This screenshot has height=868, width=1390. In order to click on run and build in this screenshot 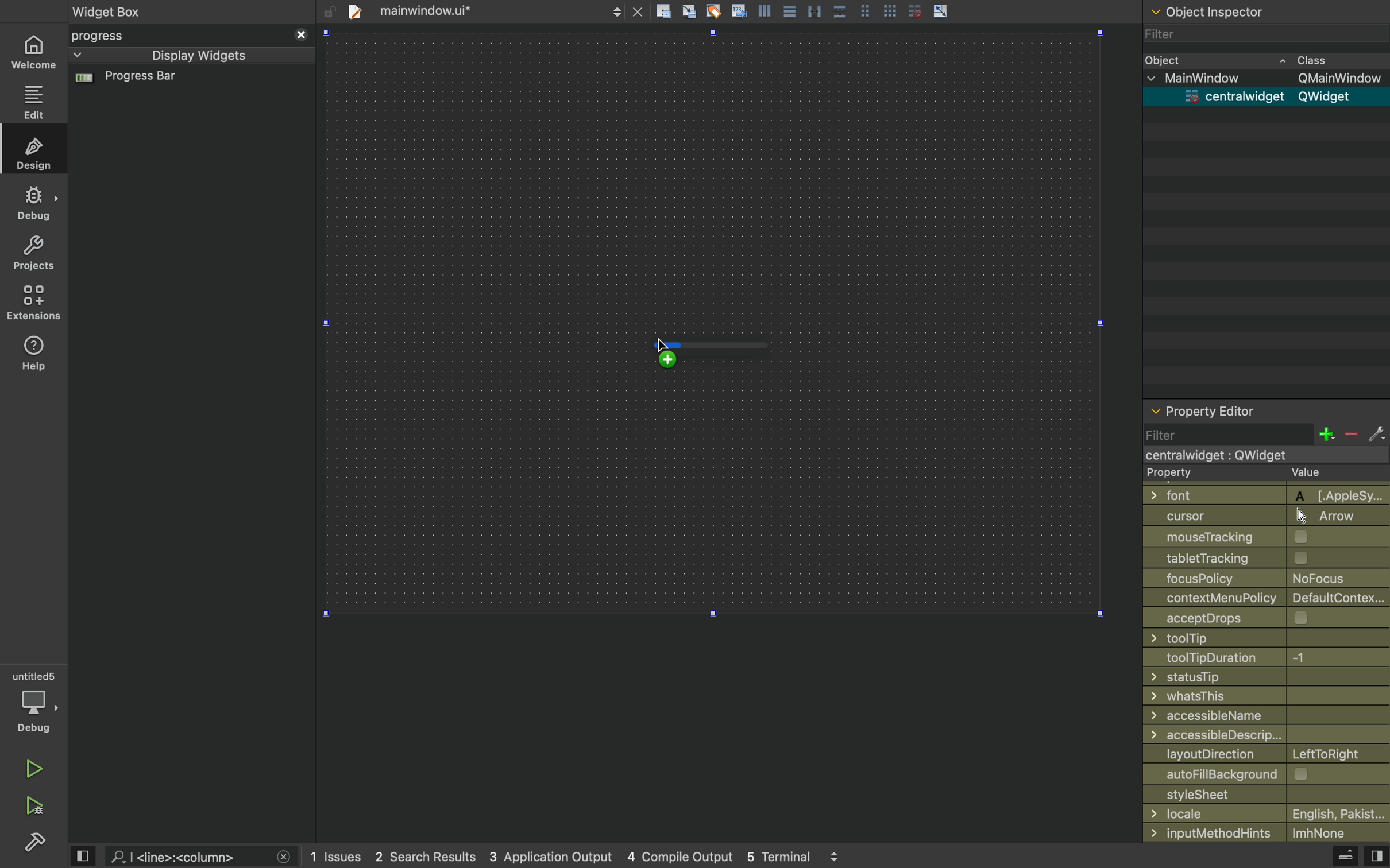, I will do `click(33, 806)`.